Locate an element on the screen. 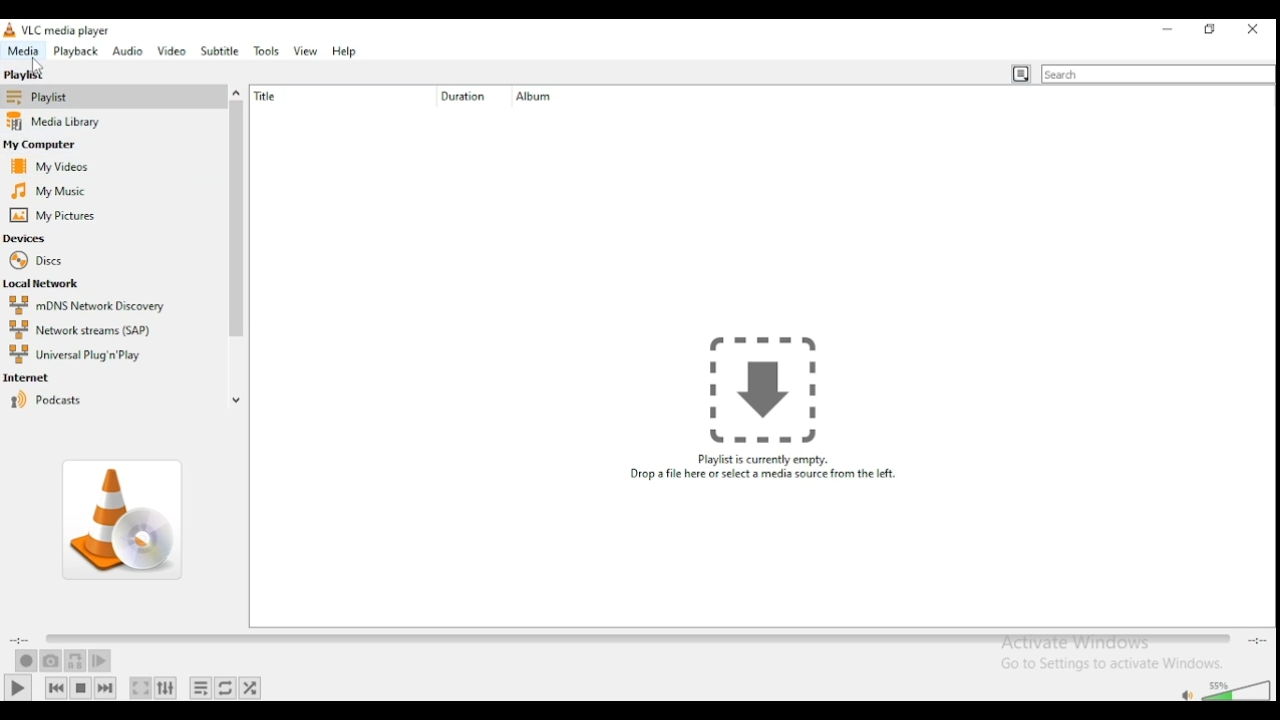  audio is located at coordinates (126, 50).